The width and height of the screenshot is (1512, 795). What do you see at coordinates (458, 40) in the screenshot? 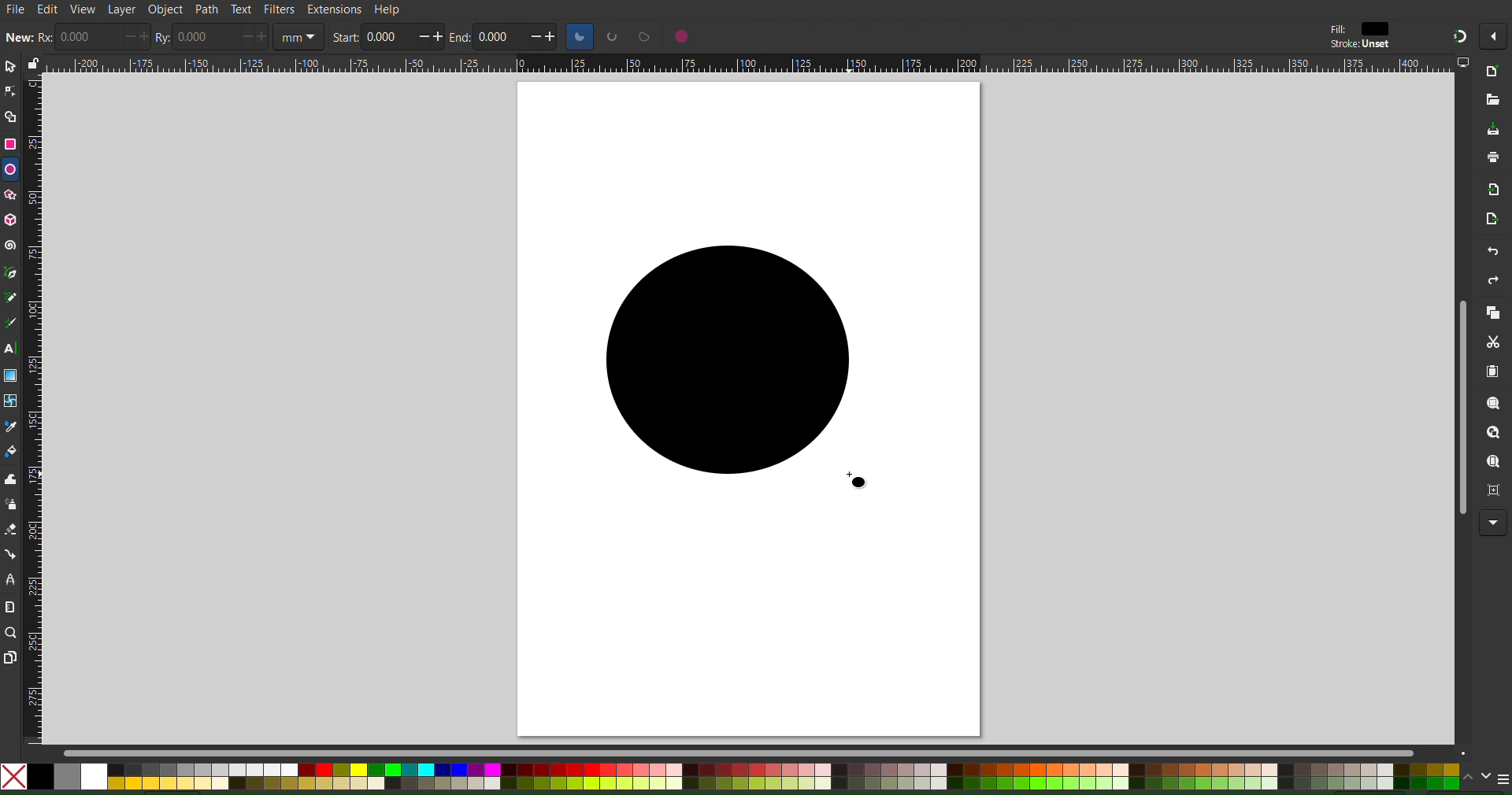
I see `end` at bounding box center [458, 40].